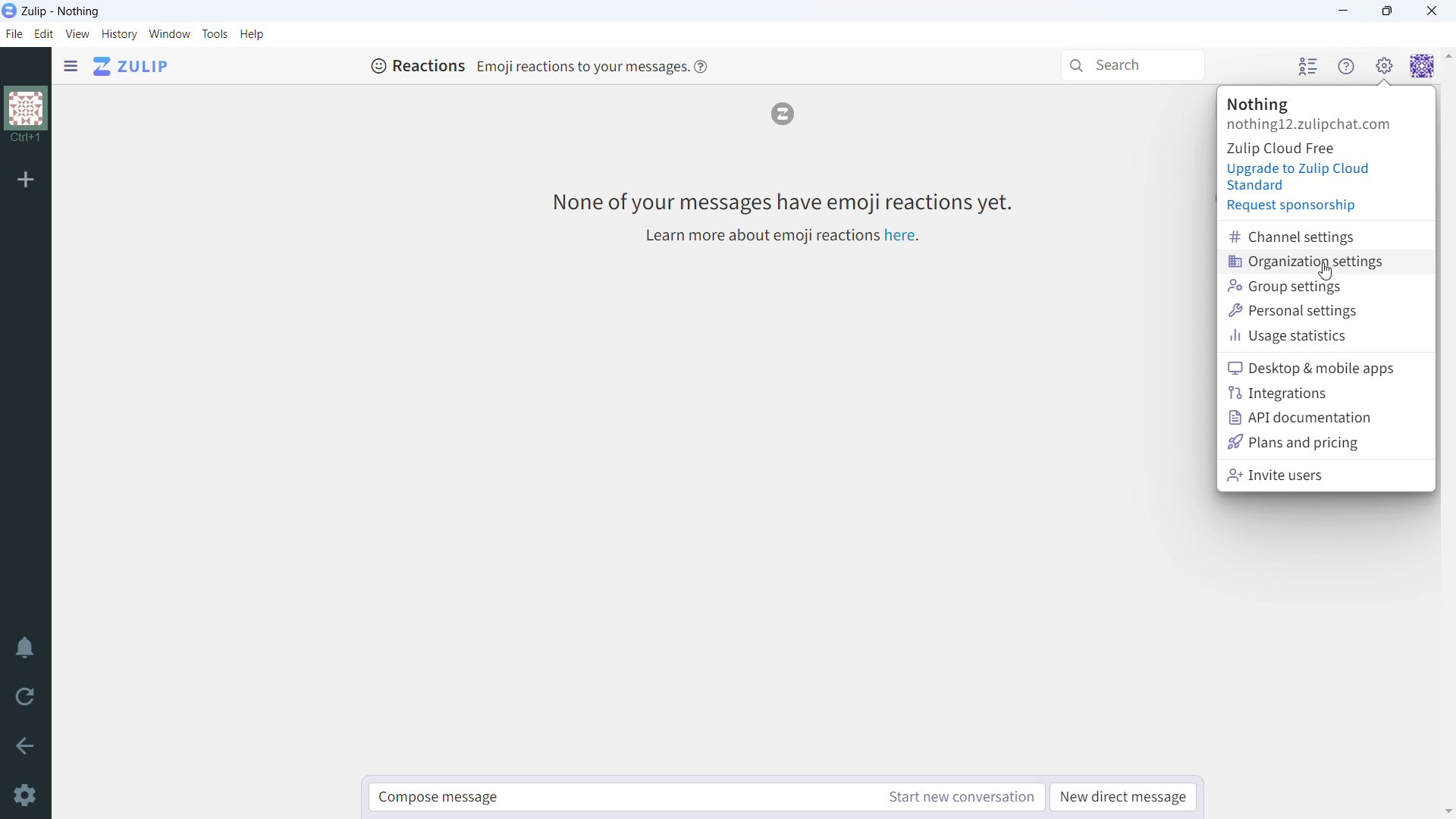 This screenshot has height=819, width=1456. I want to click on new direct message, so click(1122, 798).